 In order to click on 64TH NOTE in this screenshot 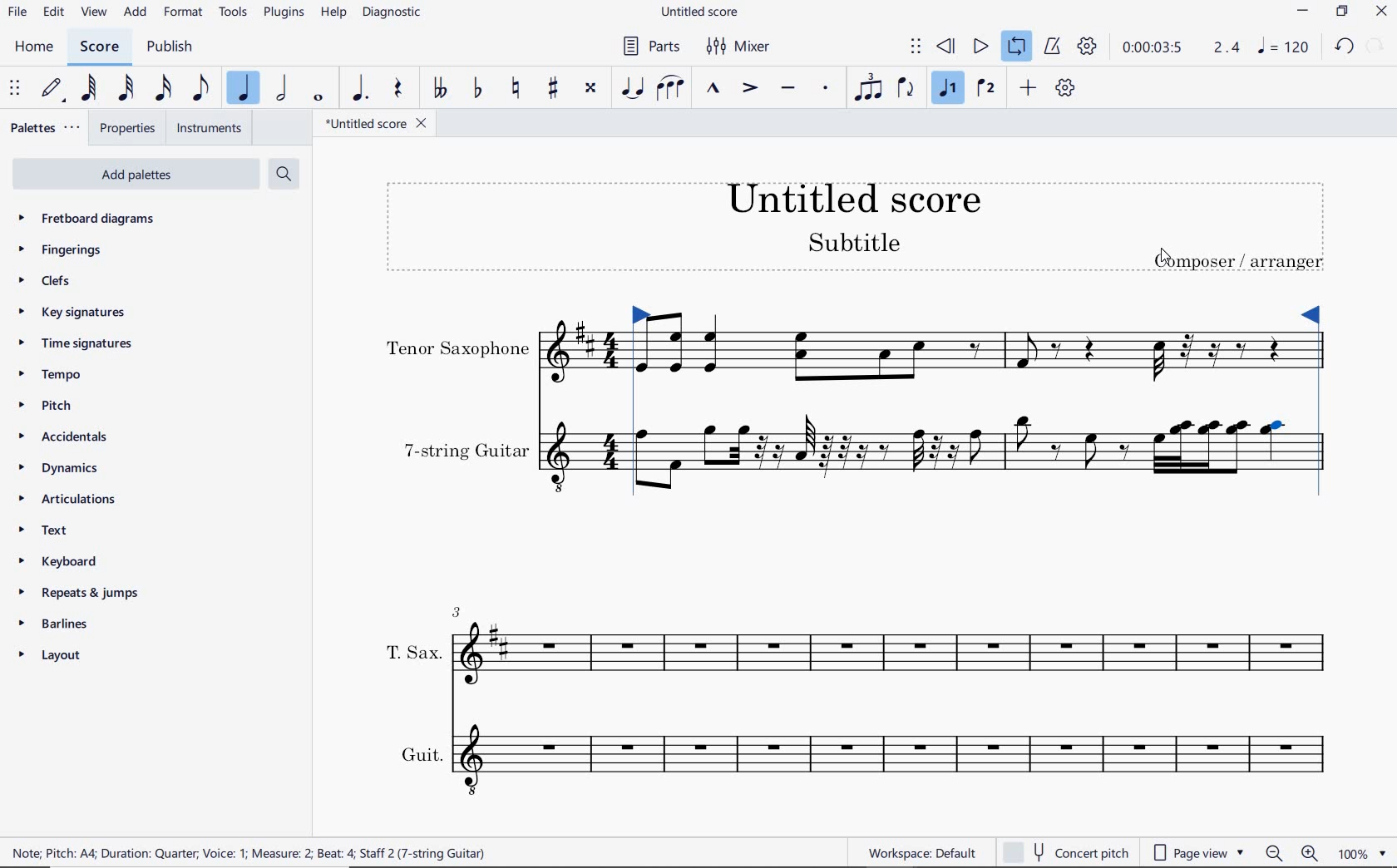, I will do `click(88, 87)`.